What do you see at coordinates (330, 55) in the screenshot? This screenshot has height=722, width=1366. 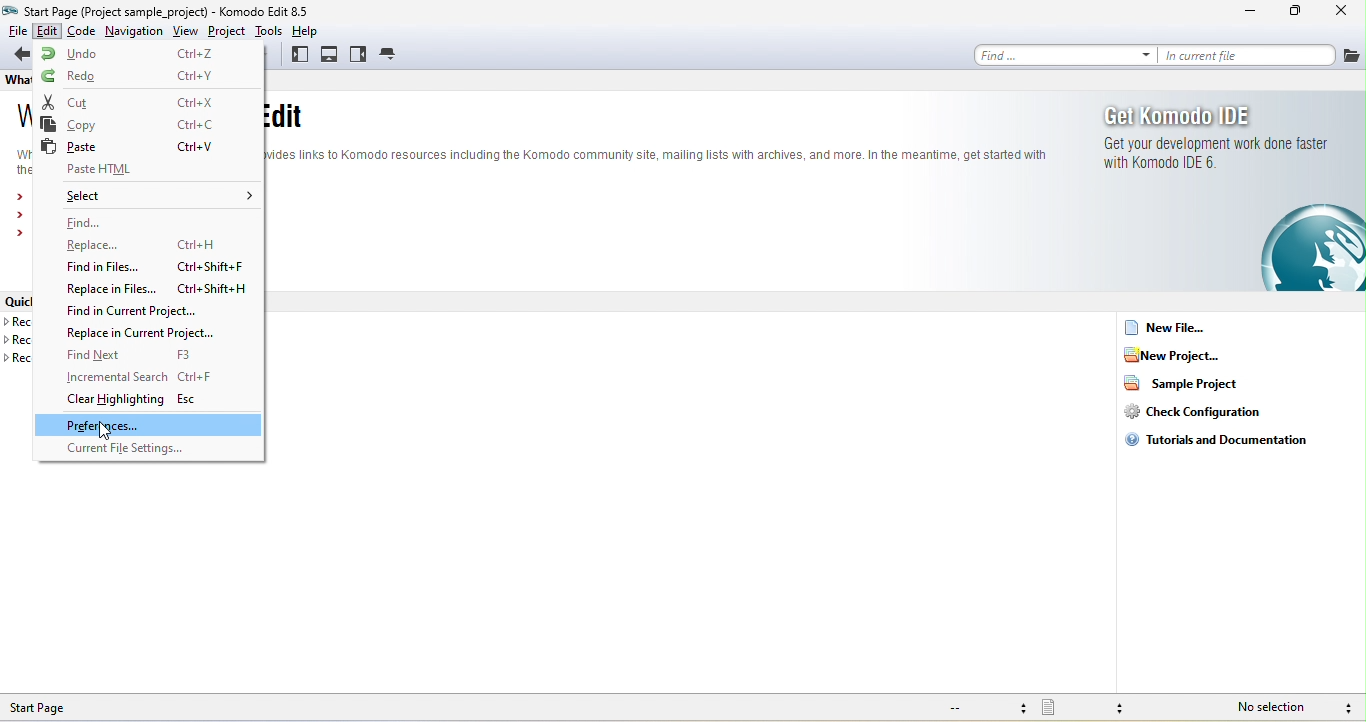 I see `bottom pane` at bounding box center [330, 55].